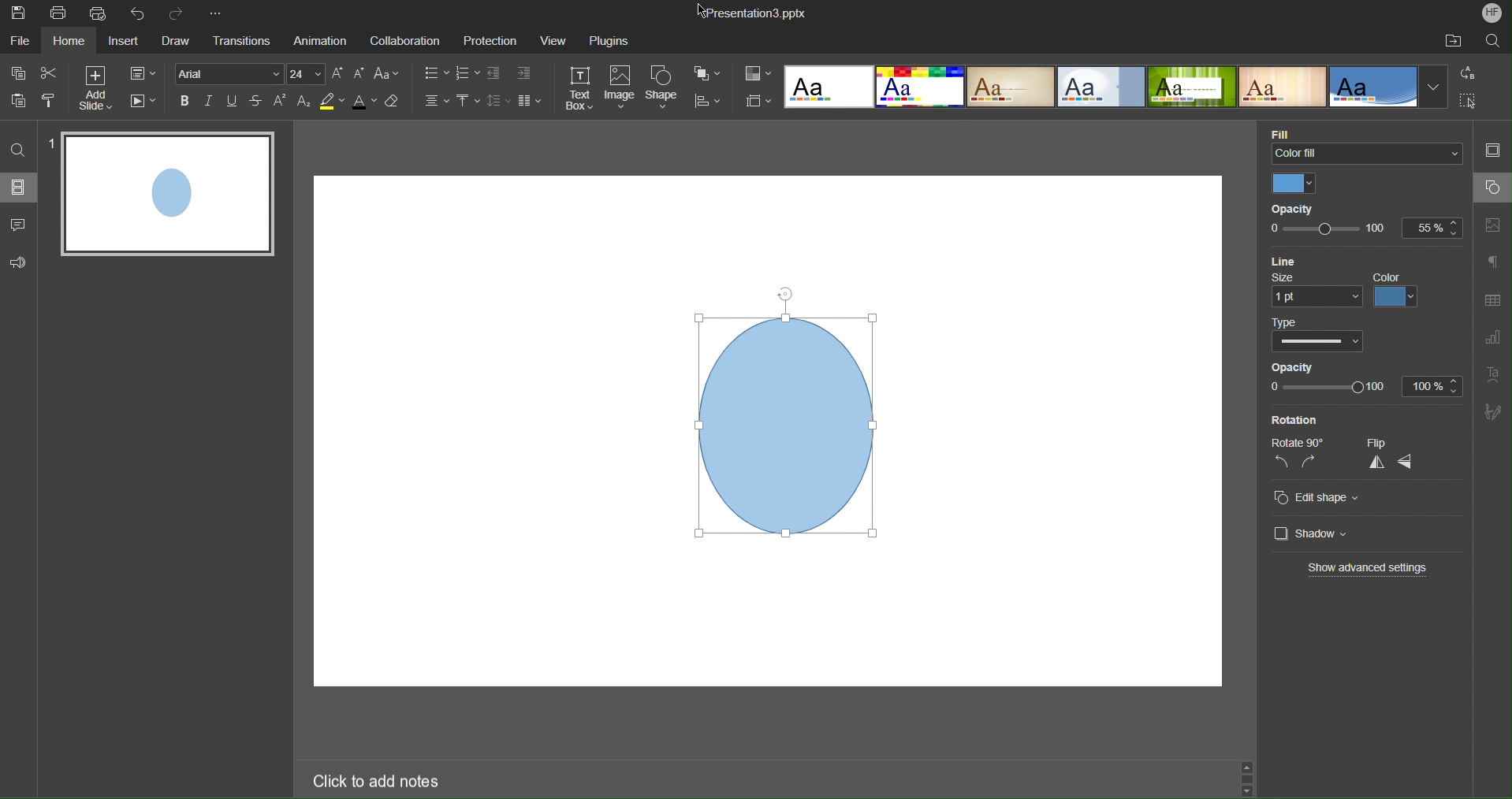  What do you see at coordinates (332, 104) in the screenshot?
I see `Highlight` at bounding box center [332, 104].